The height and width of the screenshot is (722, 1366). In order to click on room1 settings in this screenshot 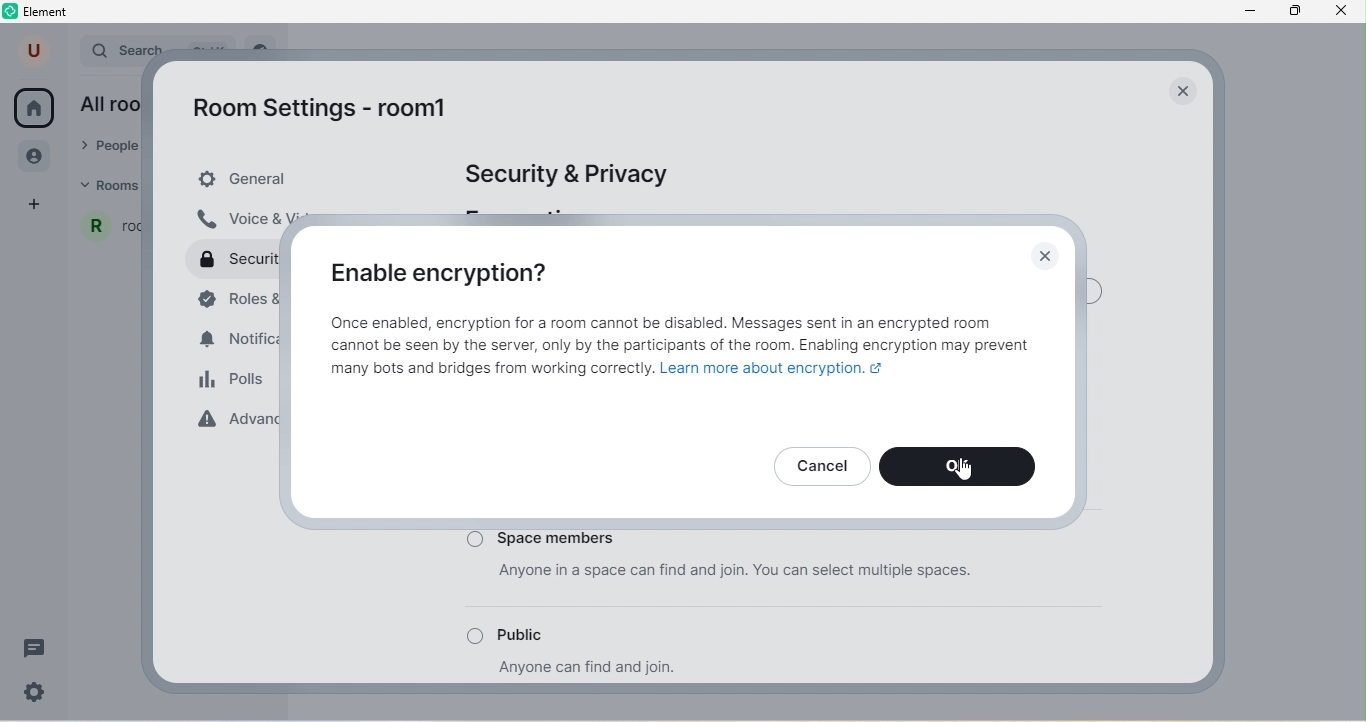, I will do `click(333, 112)`.